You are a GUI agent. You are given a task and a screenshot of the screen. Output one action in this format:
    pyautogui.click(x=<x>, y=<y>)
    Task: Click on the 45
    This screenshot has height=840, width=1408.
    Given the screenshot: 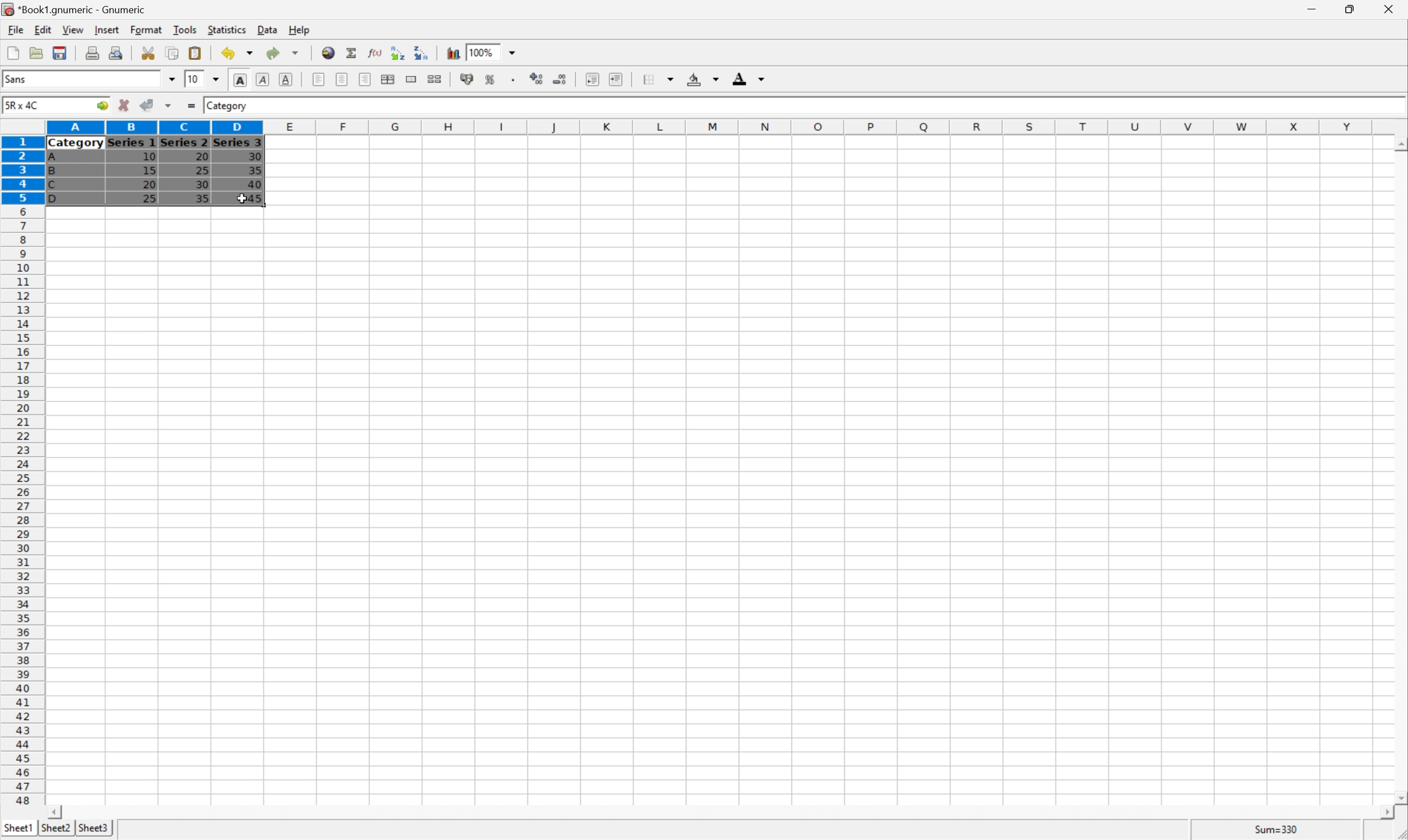 What is the action you would take?
    pyautogui.click(x=254, y=198)
    